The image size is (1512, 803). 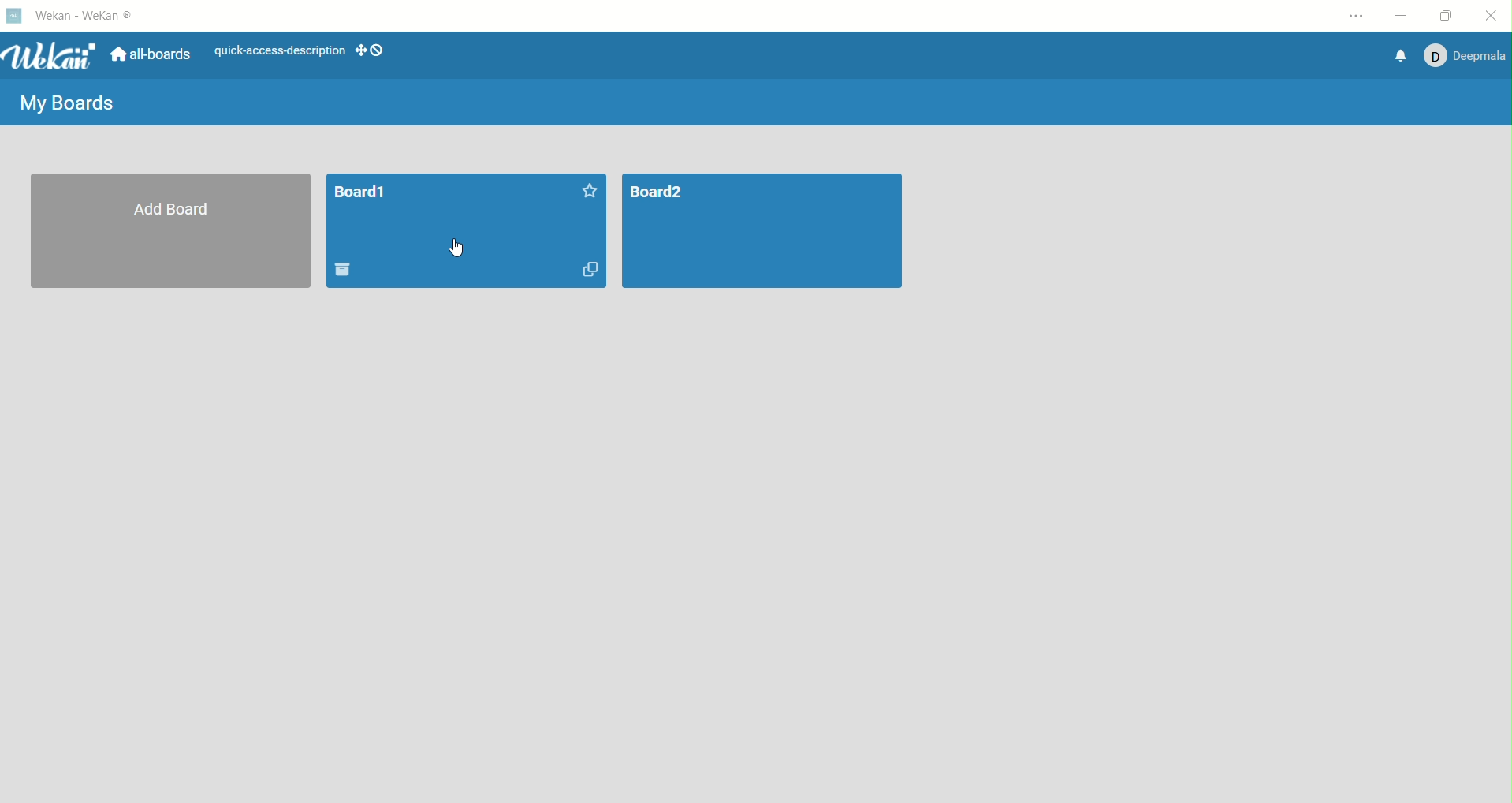 I want to click on all boards, so click(x=151, y=54).